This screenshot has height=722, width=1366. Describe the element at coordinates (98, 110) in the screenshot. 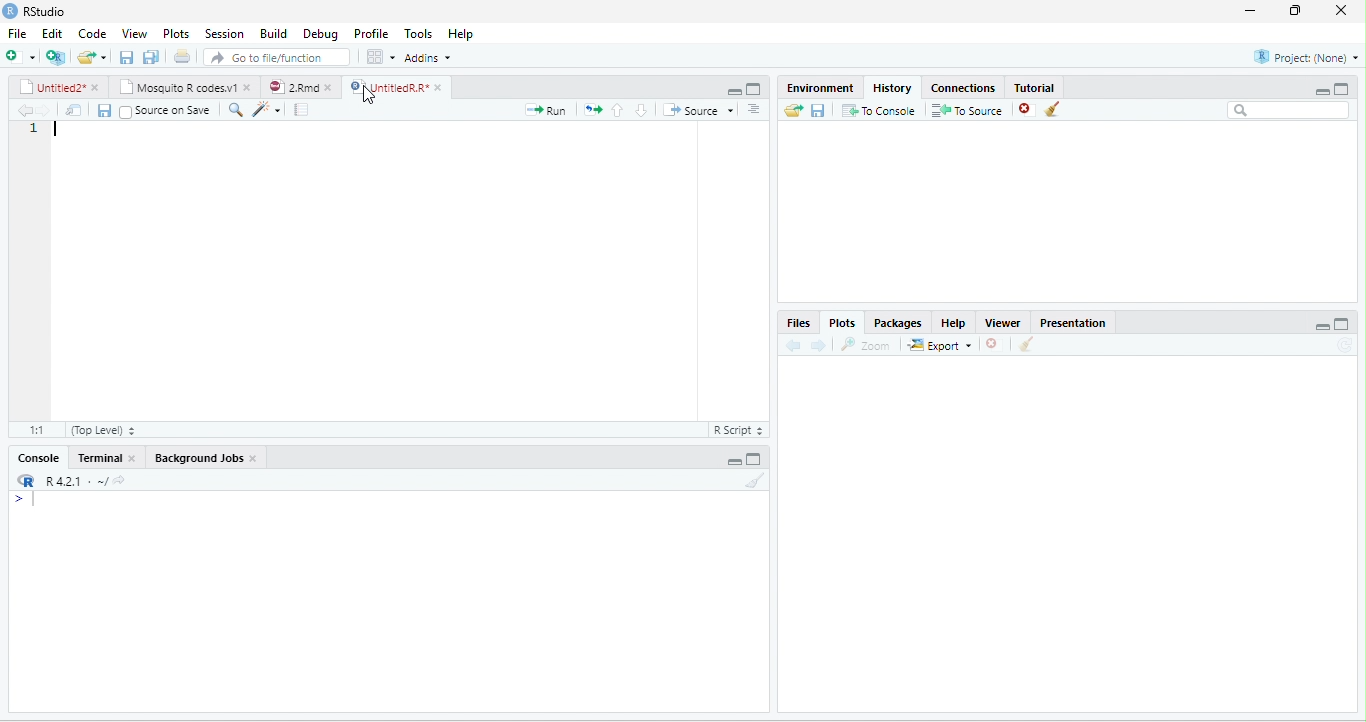

I see `save` at that location.